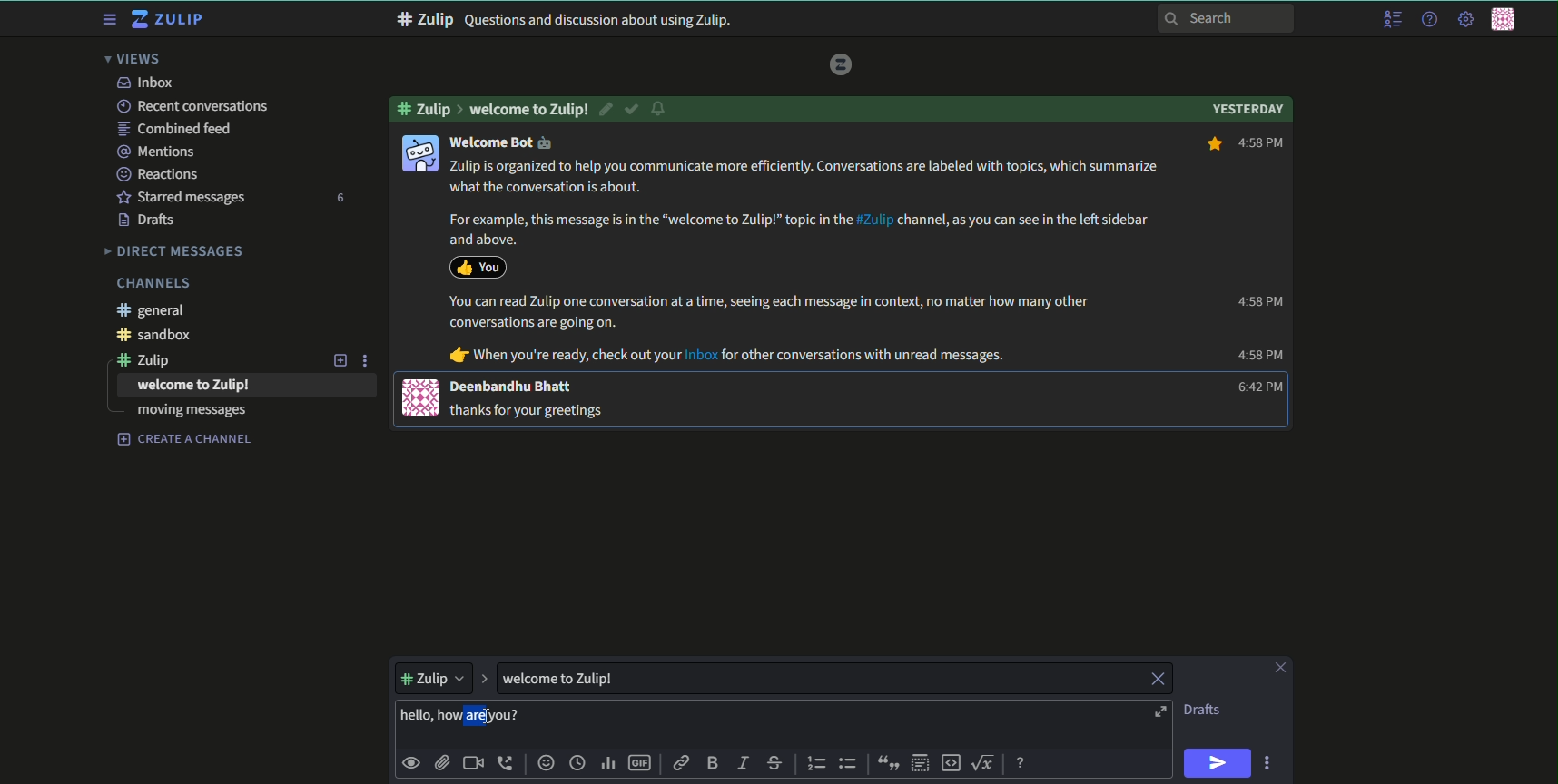 Image resolution: width=1558 pixels, height=784 pixels. I want to click on link, so click(683, 765).